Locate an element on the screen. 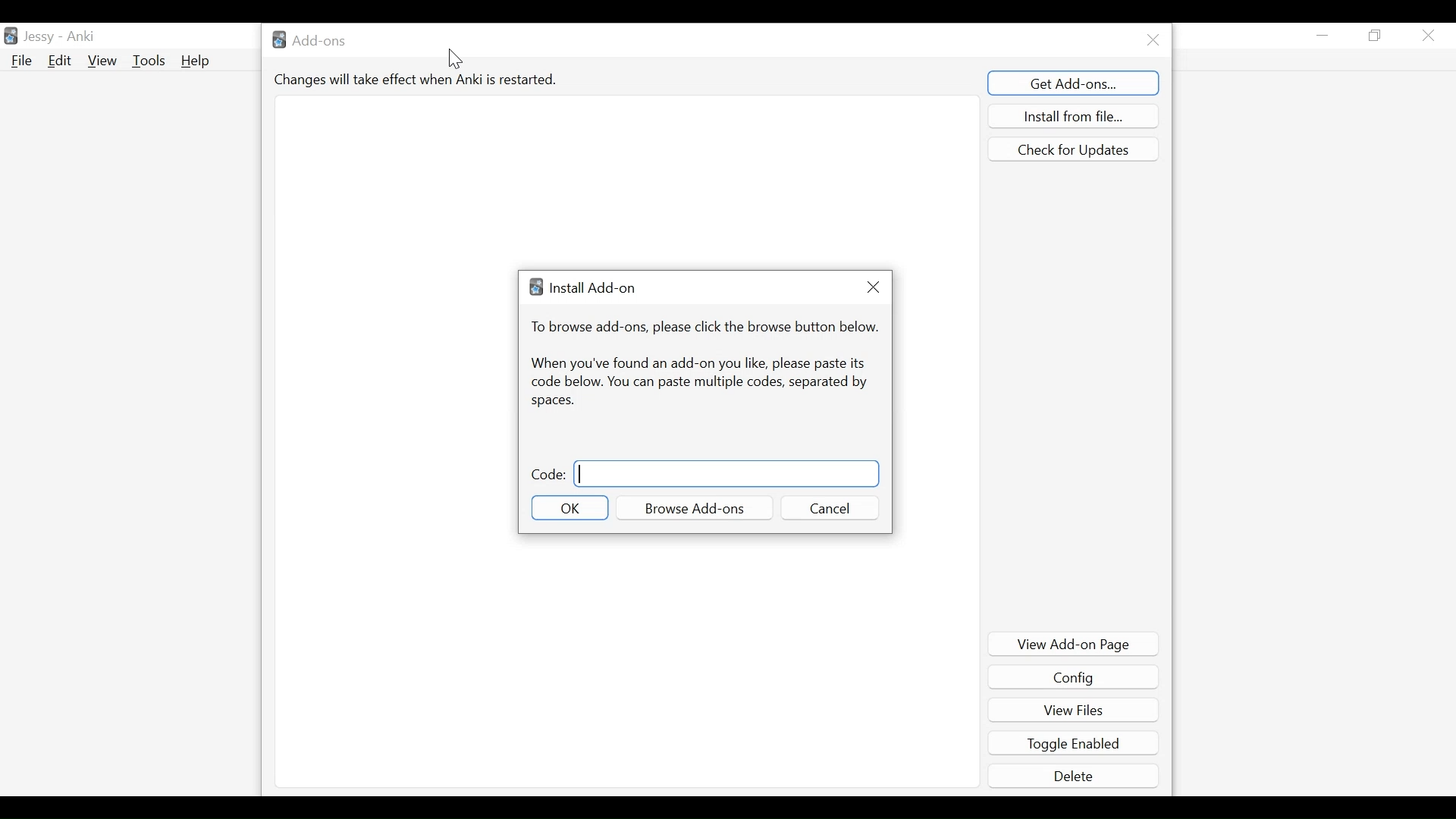 This screenshot has width=1456, height=819. Code is located at coordinates (548, 474).